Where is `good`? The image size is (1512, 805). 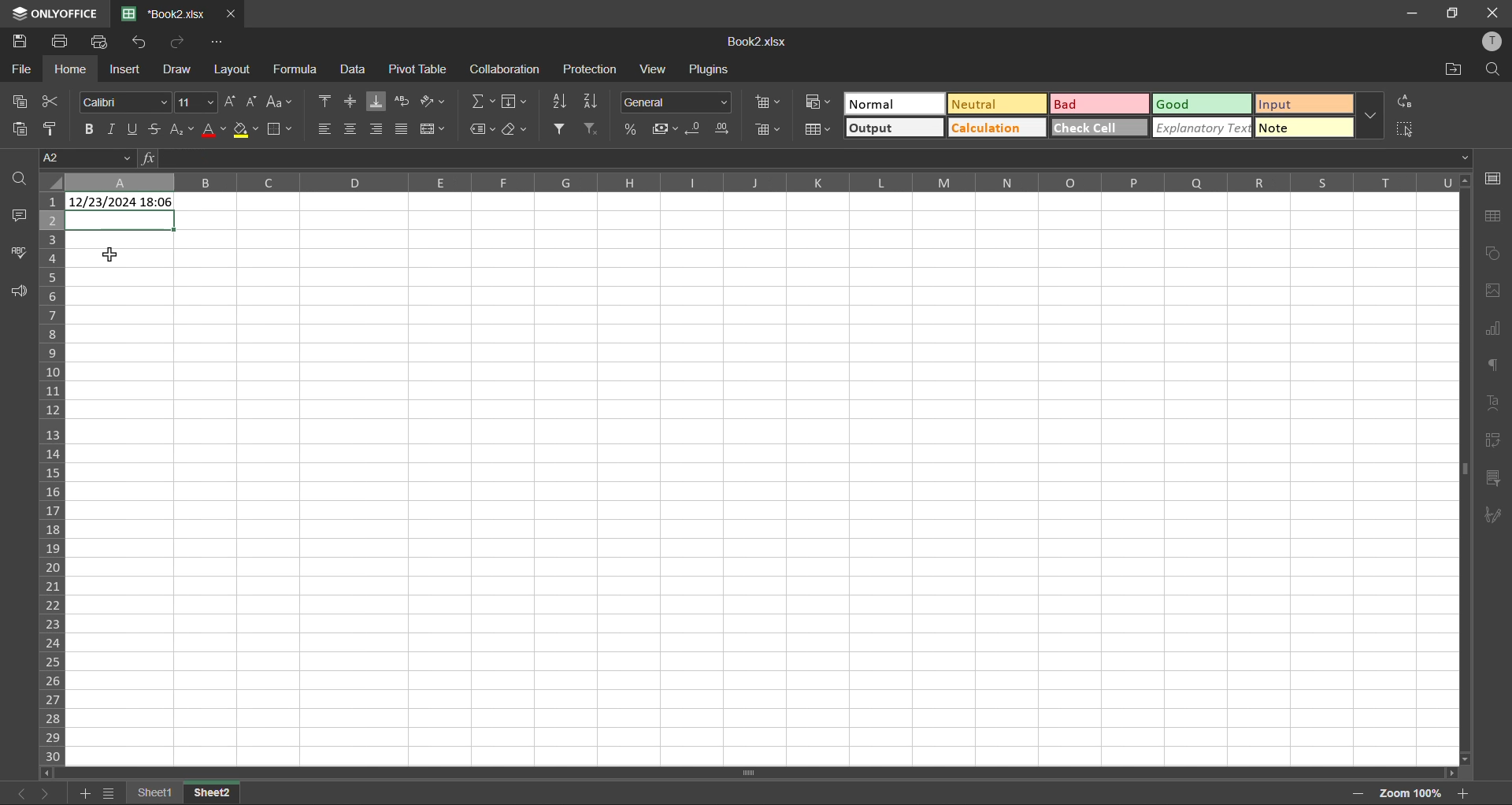 good is located at coordinates (1203, 105).